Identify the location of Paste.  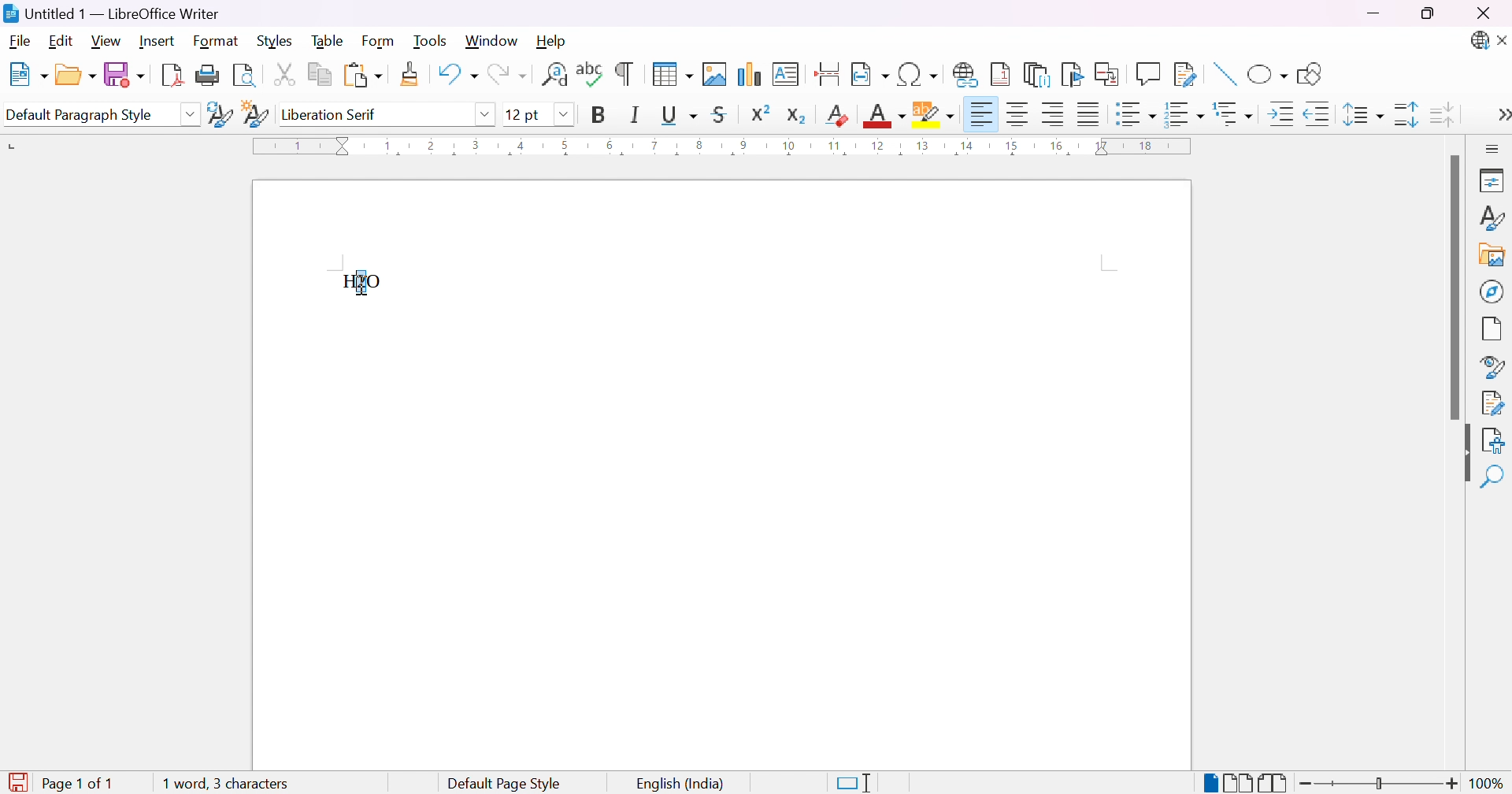
(362, 76).